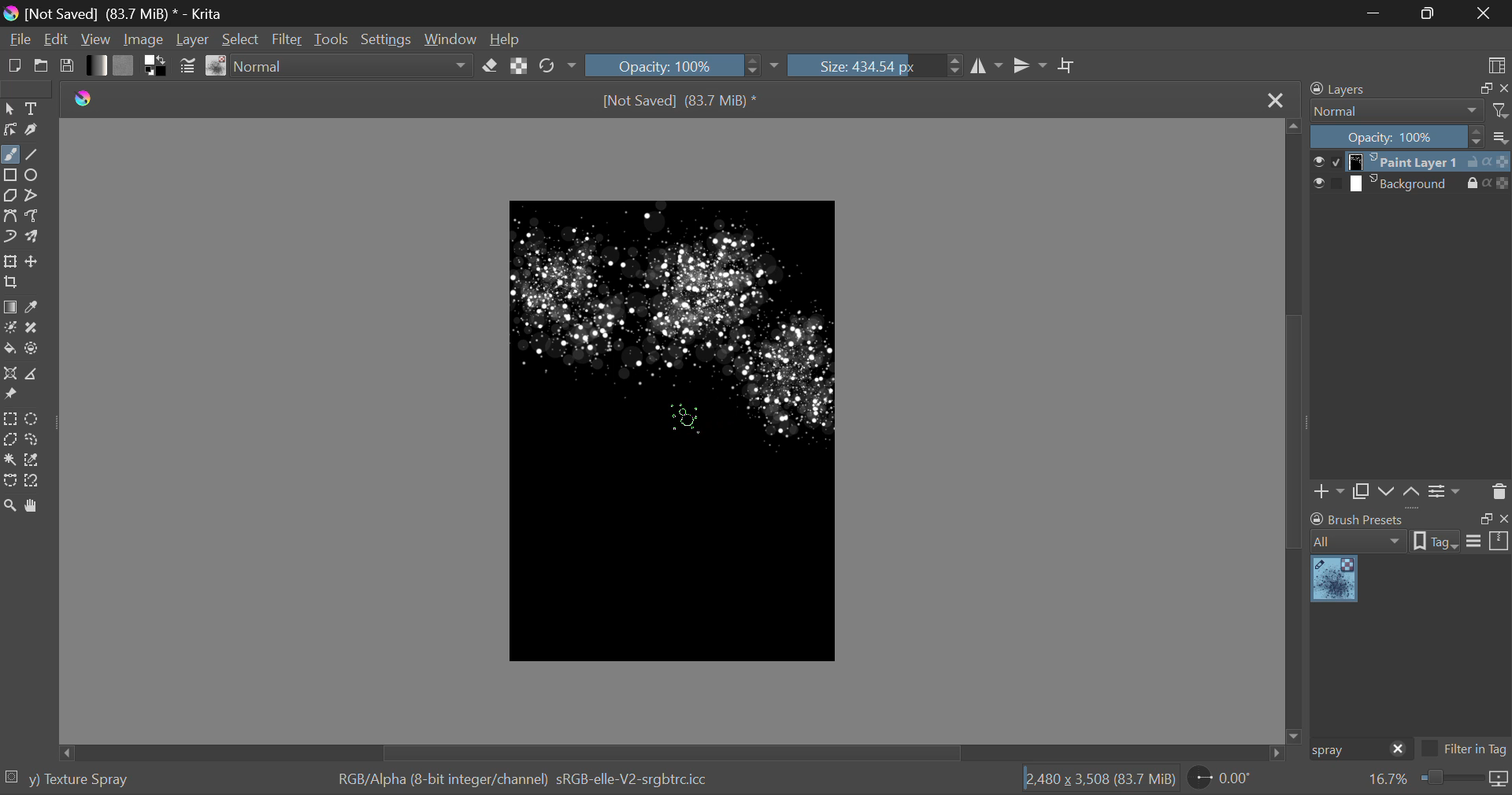 The width and height of the screenshot is (1512, 795). What do you see at coordinates (30, 375) in the screenshot?
I see `Measurements` at bounding box center [30, 375].